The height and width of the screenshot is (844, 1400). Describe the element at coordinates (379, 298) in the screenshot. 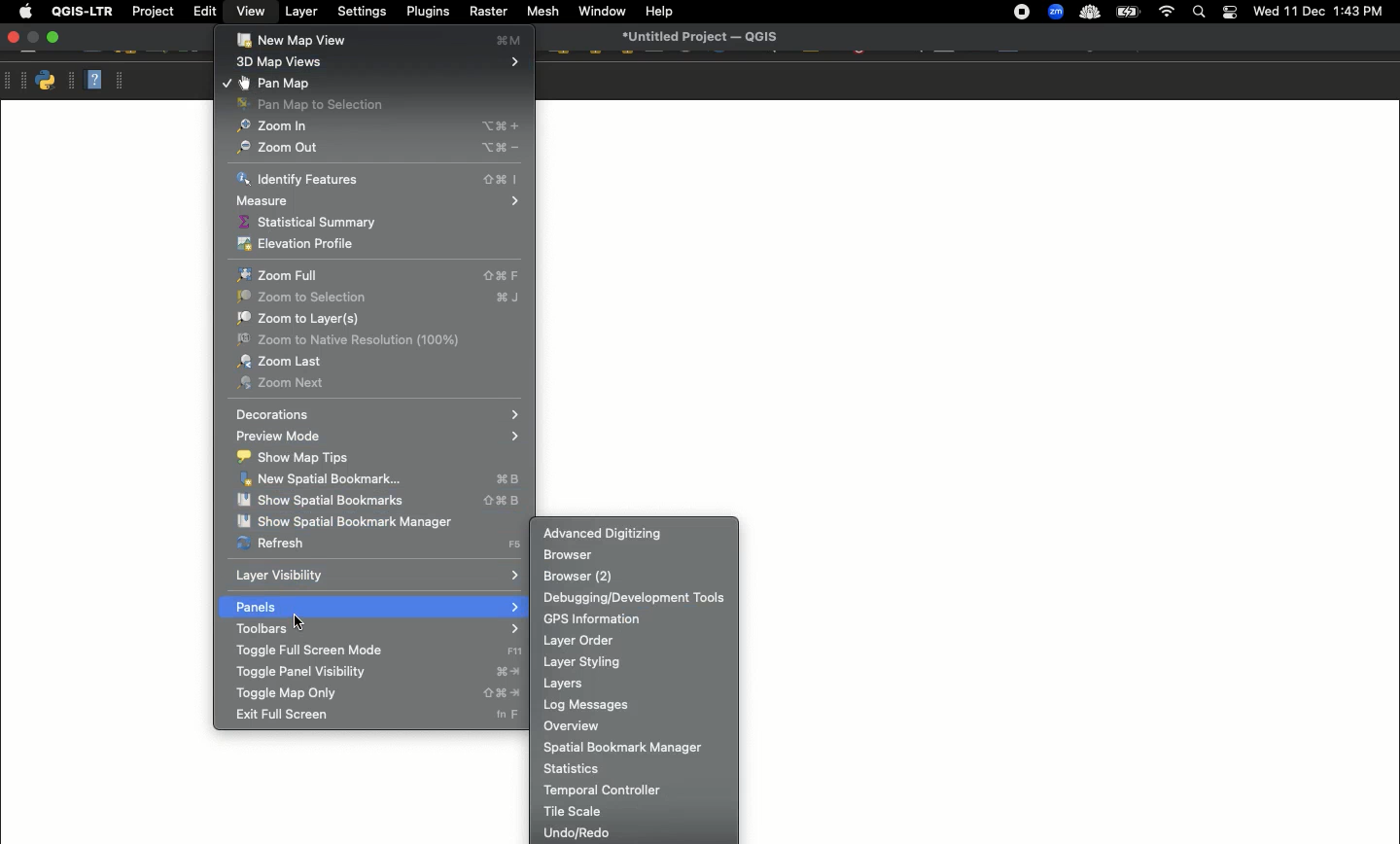

I see `Zoom to selection` at that location.